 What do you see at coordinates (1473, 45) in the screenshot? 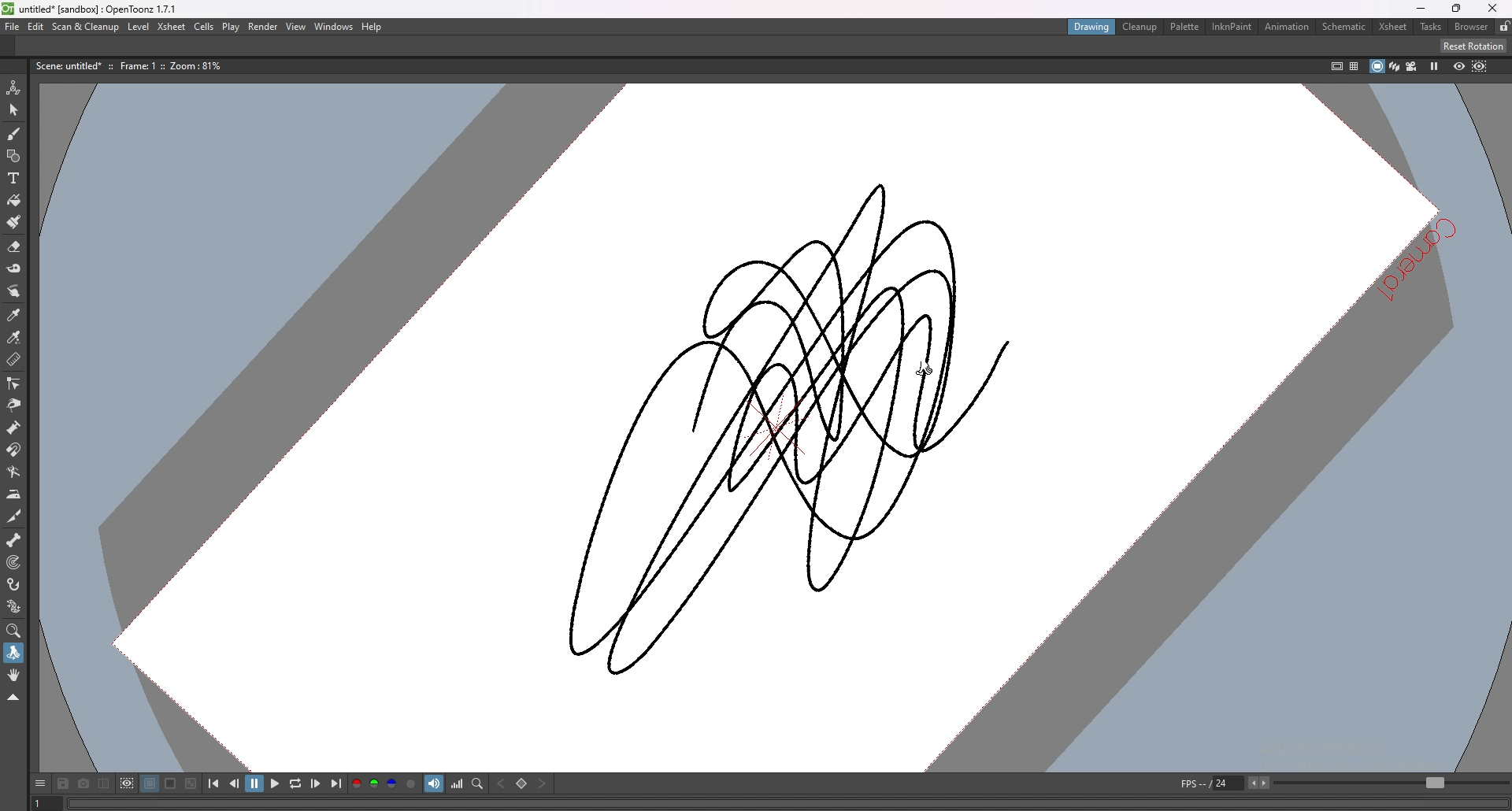
I see `reset rotation ` at bounding box center [1473, 45].